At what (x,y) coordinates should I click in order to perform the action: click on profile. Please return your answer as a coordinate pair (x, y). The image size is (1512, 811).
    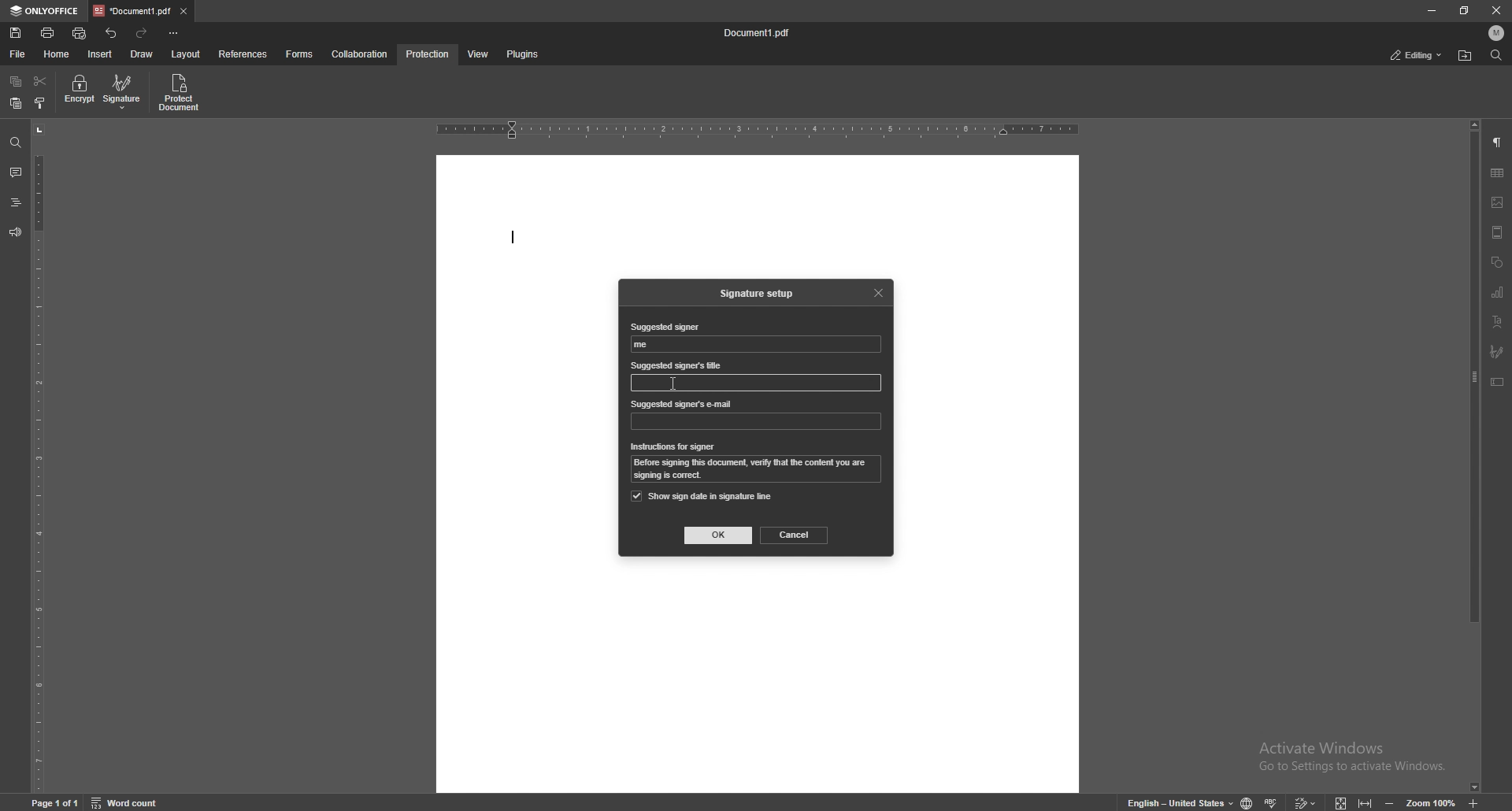
    Looking at the image, I should click on (1497, 33).